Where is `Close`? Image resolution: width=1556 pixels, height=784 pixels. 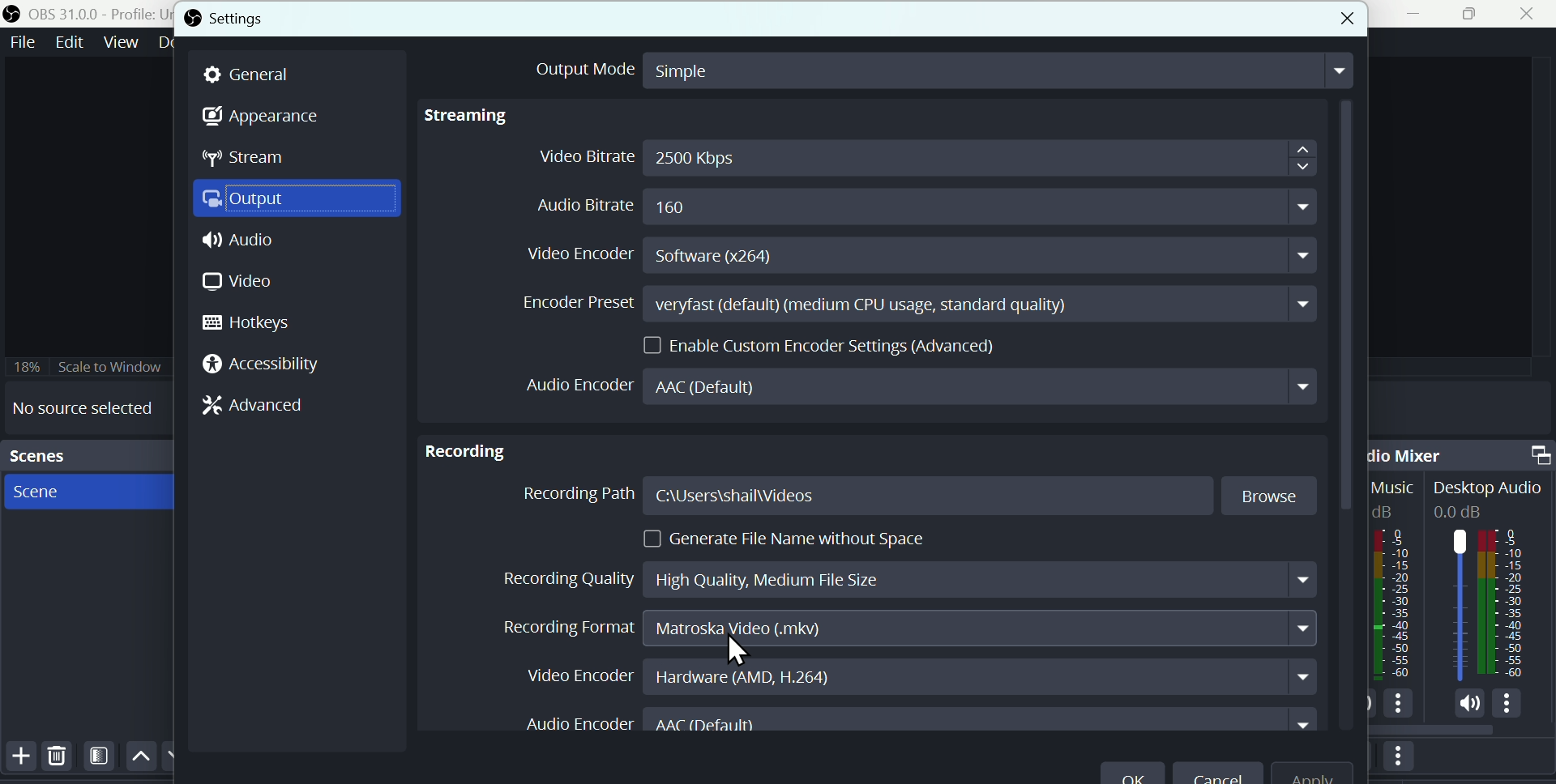 Close is located at coordinates (1531, 15).